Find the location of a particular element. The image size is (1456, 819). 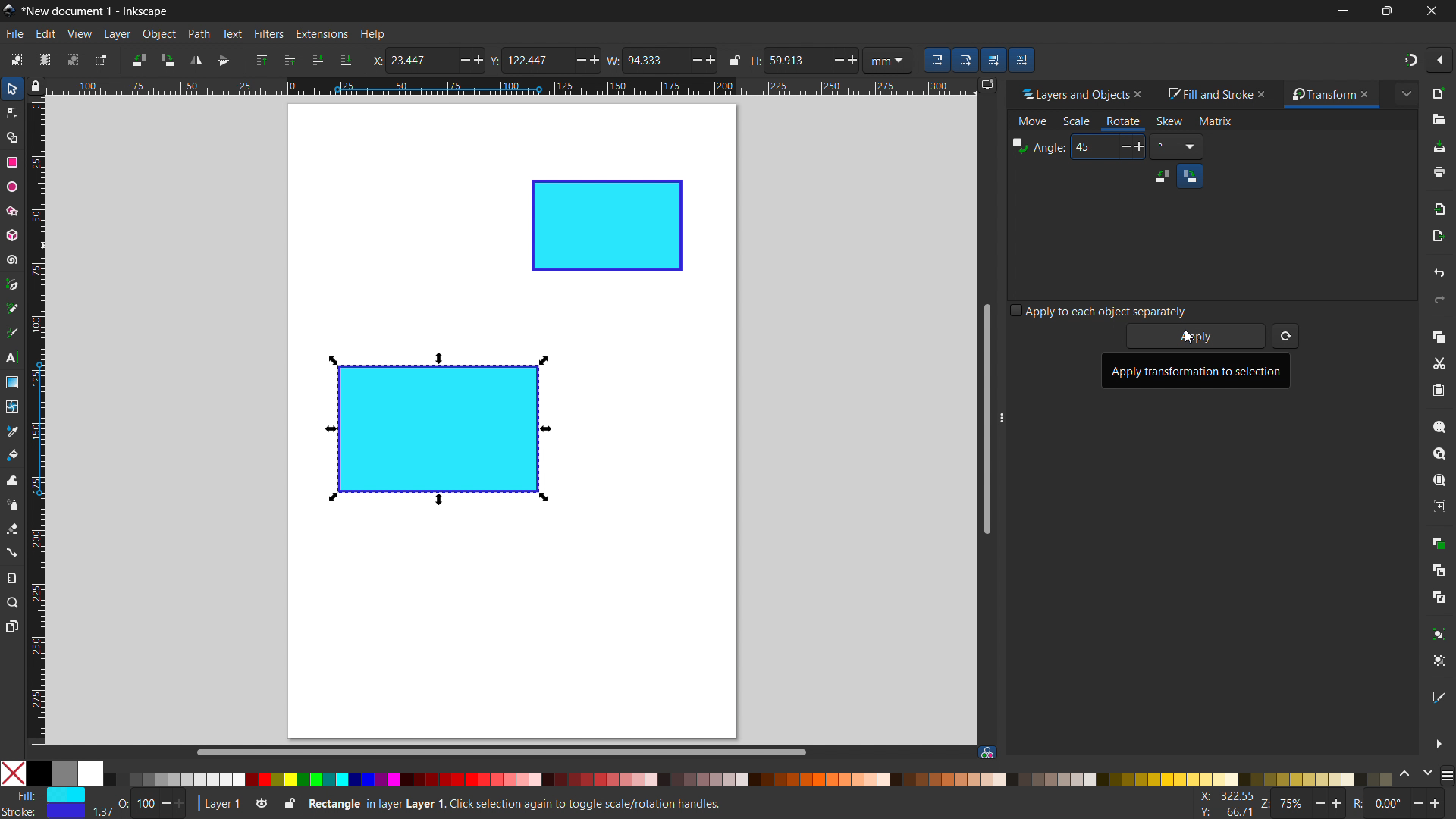

grey is located at coordinates (64, 773).